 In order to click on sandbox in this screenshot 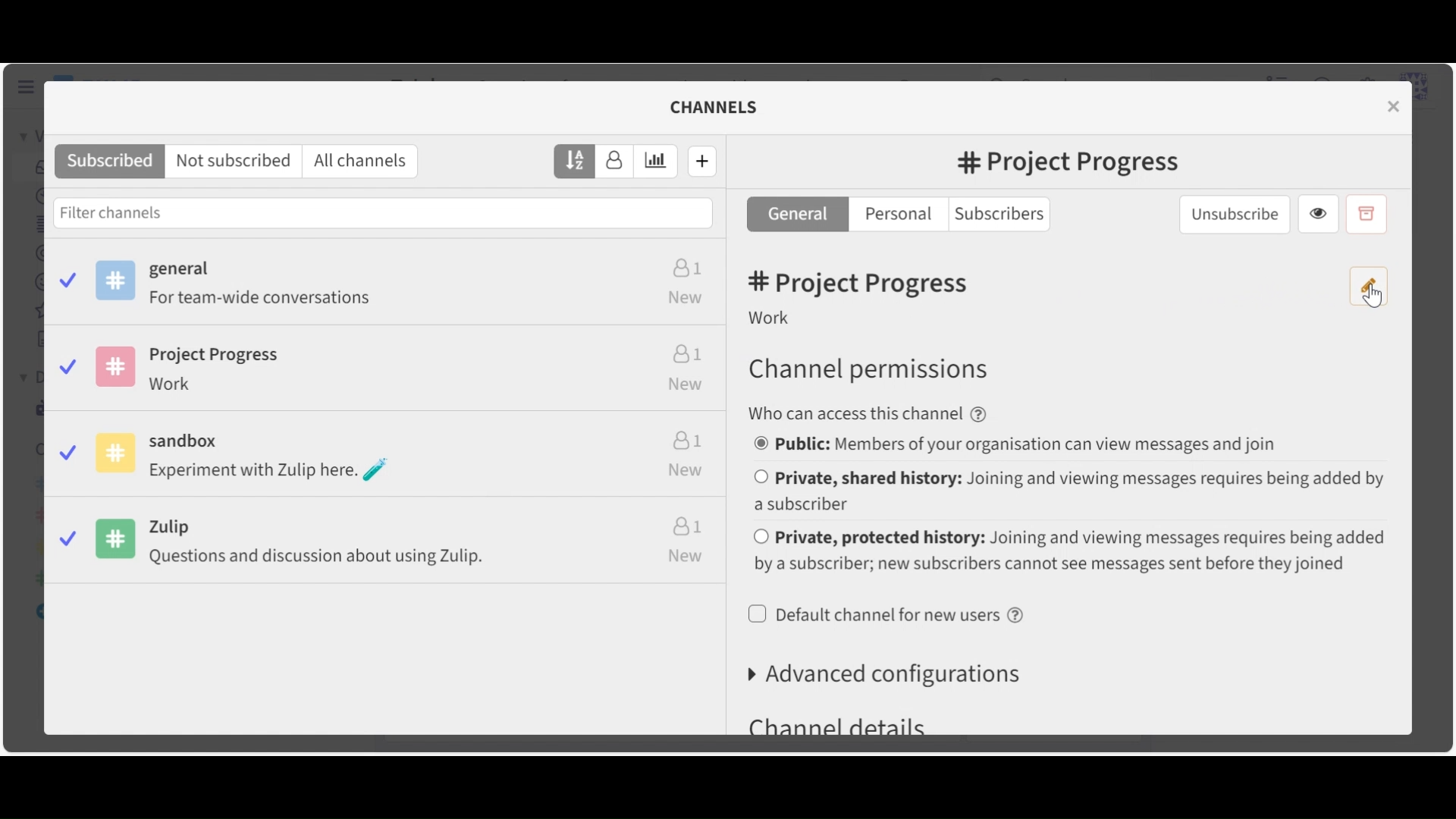, I will do `click(387, 454)`.